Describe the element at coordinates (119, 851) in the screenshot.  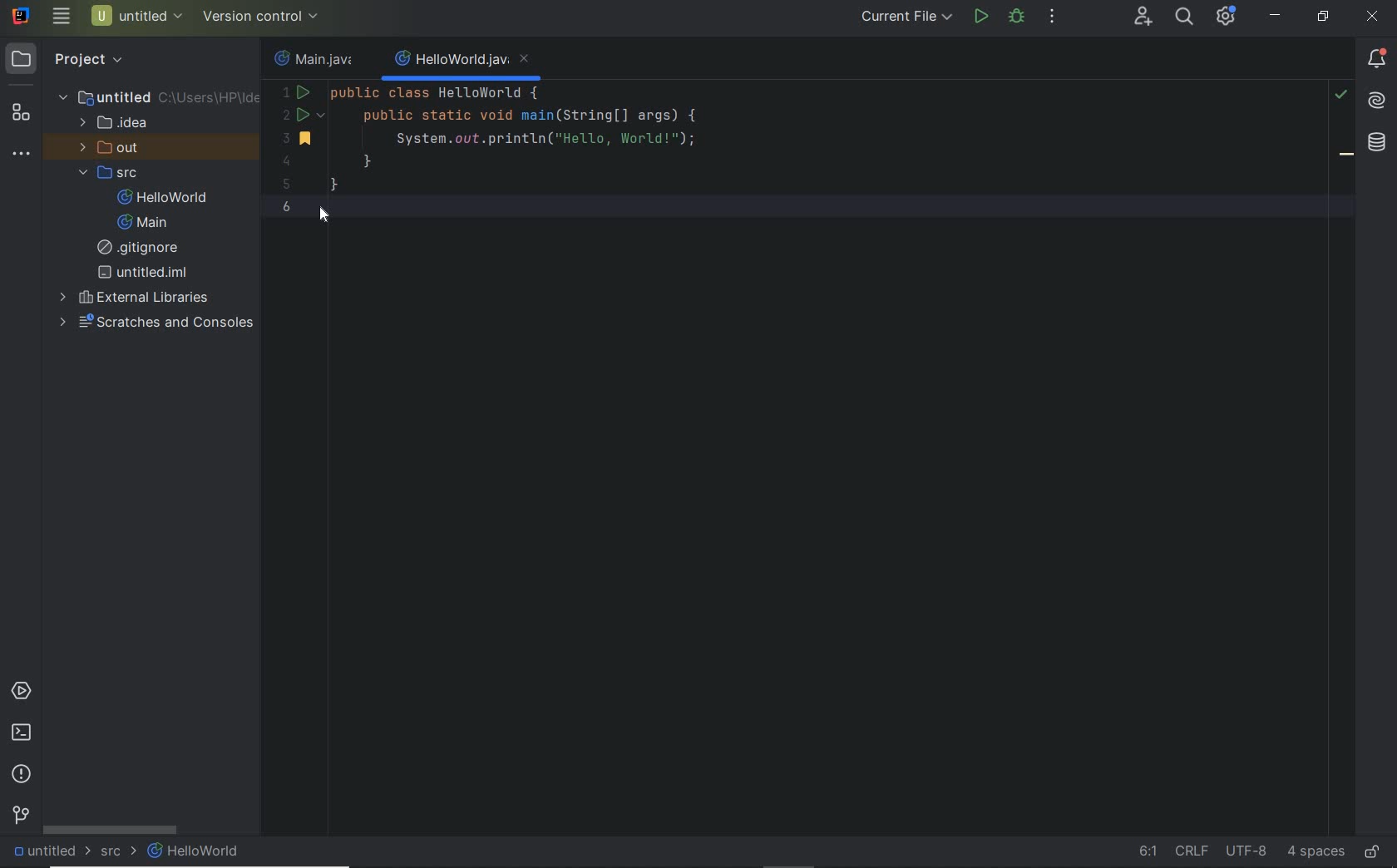
I see `src` at that location.